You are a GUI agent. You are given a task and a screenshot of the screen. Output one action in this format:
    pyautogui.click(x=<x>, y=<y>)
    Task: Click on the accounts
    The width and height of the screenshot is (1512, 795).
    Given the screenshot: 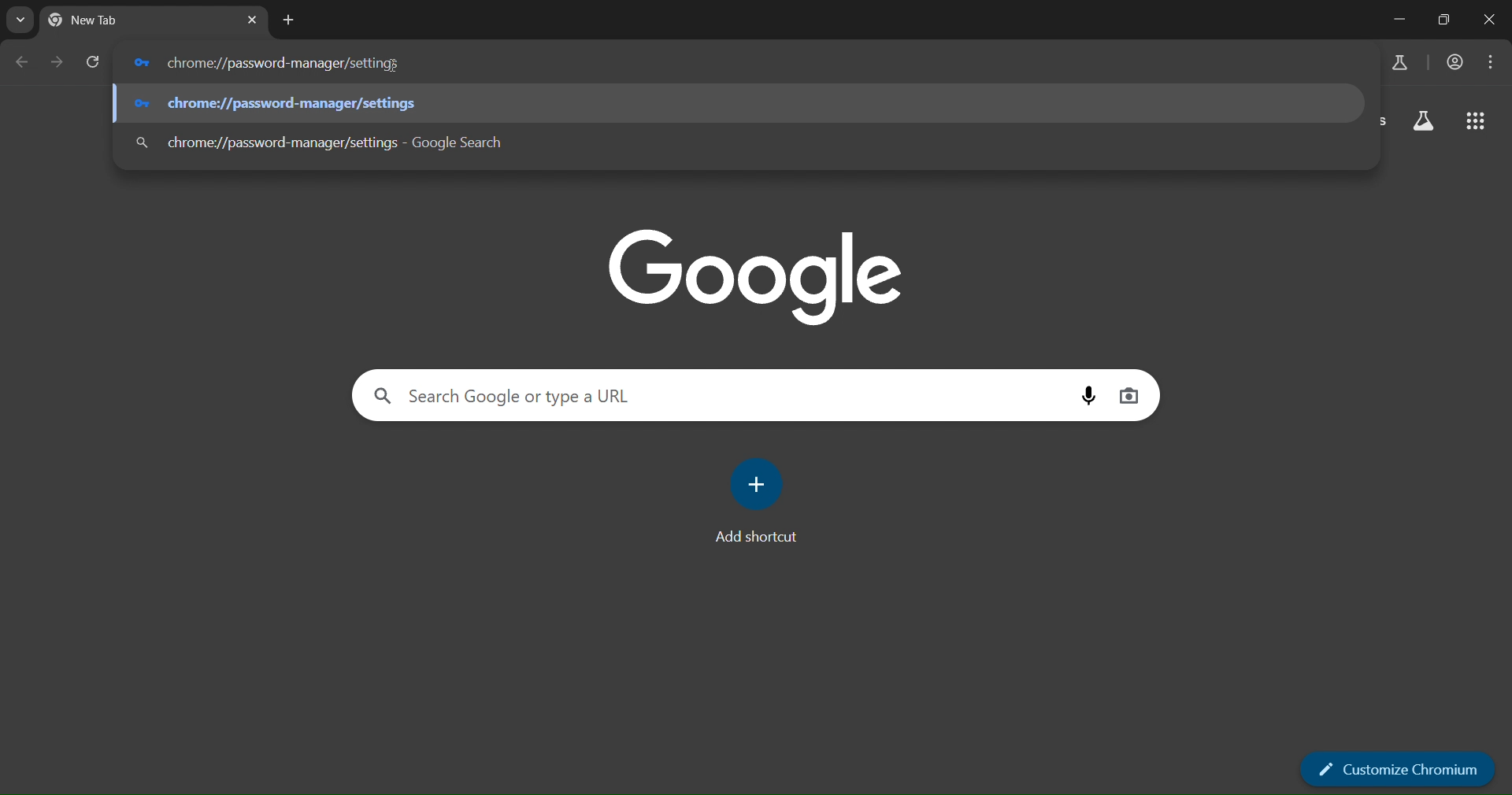 What is the action you would take?
    pyautogui.click(x=1456, y=62)
    